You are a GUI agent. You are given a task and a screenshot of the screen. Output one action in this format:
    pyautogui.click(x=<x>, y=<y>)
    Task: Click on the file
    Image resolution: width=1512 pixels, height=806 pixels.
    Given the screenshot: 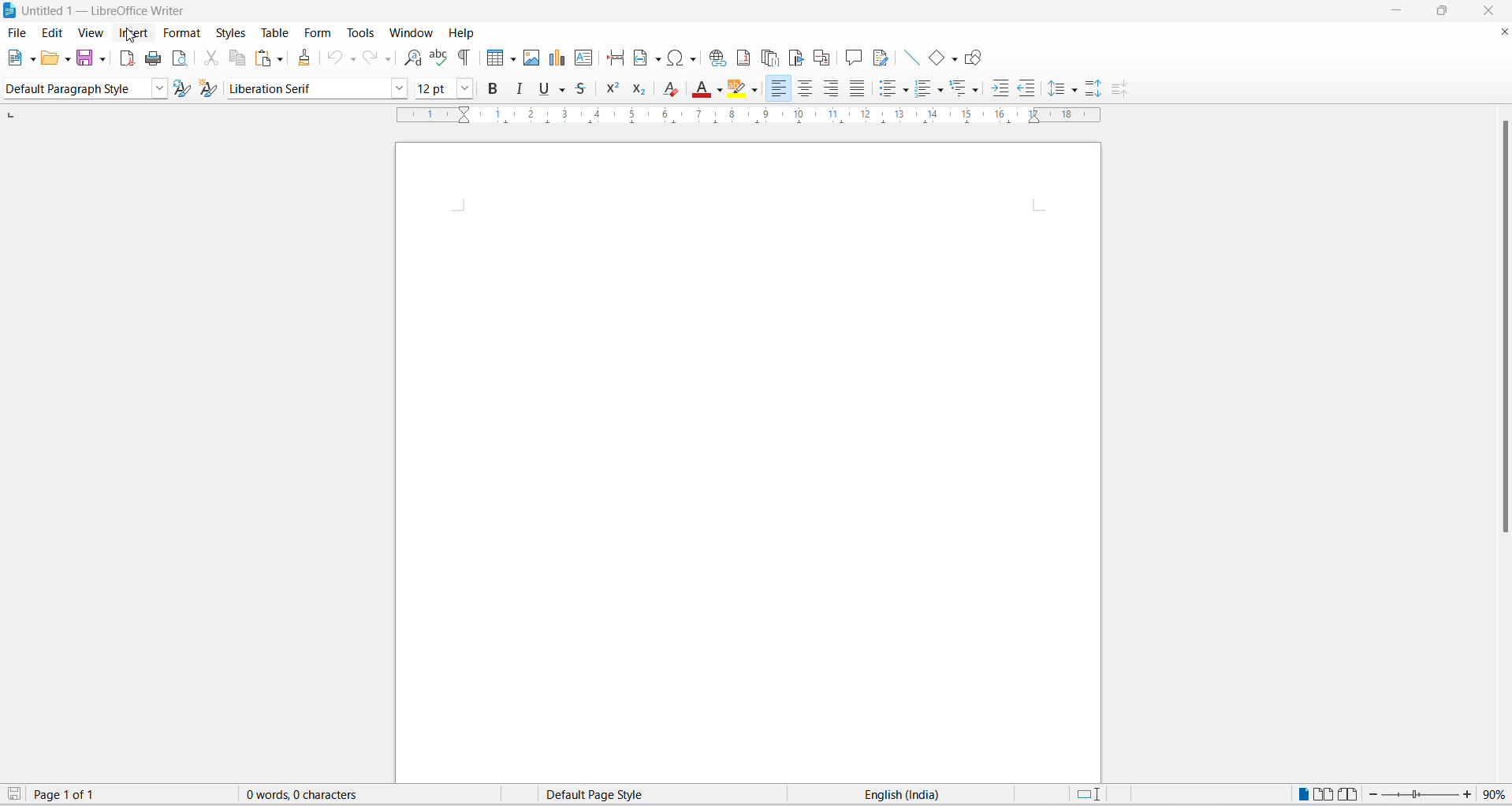 What is the action you would take?
    pyautogui.click(x=18, y=32)
    